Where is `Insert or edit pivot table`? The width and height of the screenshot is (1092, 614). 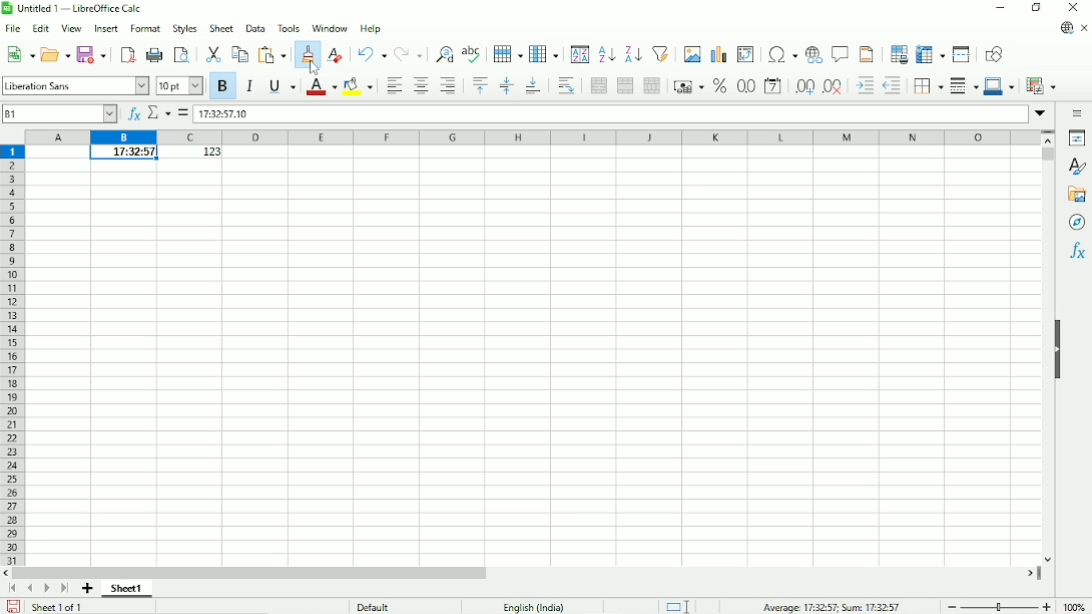 Insert or edit pivot table is located at coordinates (745, 55).